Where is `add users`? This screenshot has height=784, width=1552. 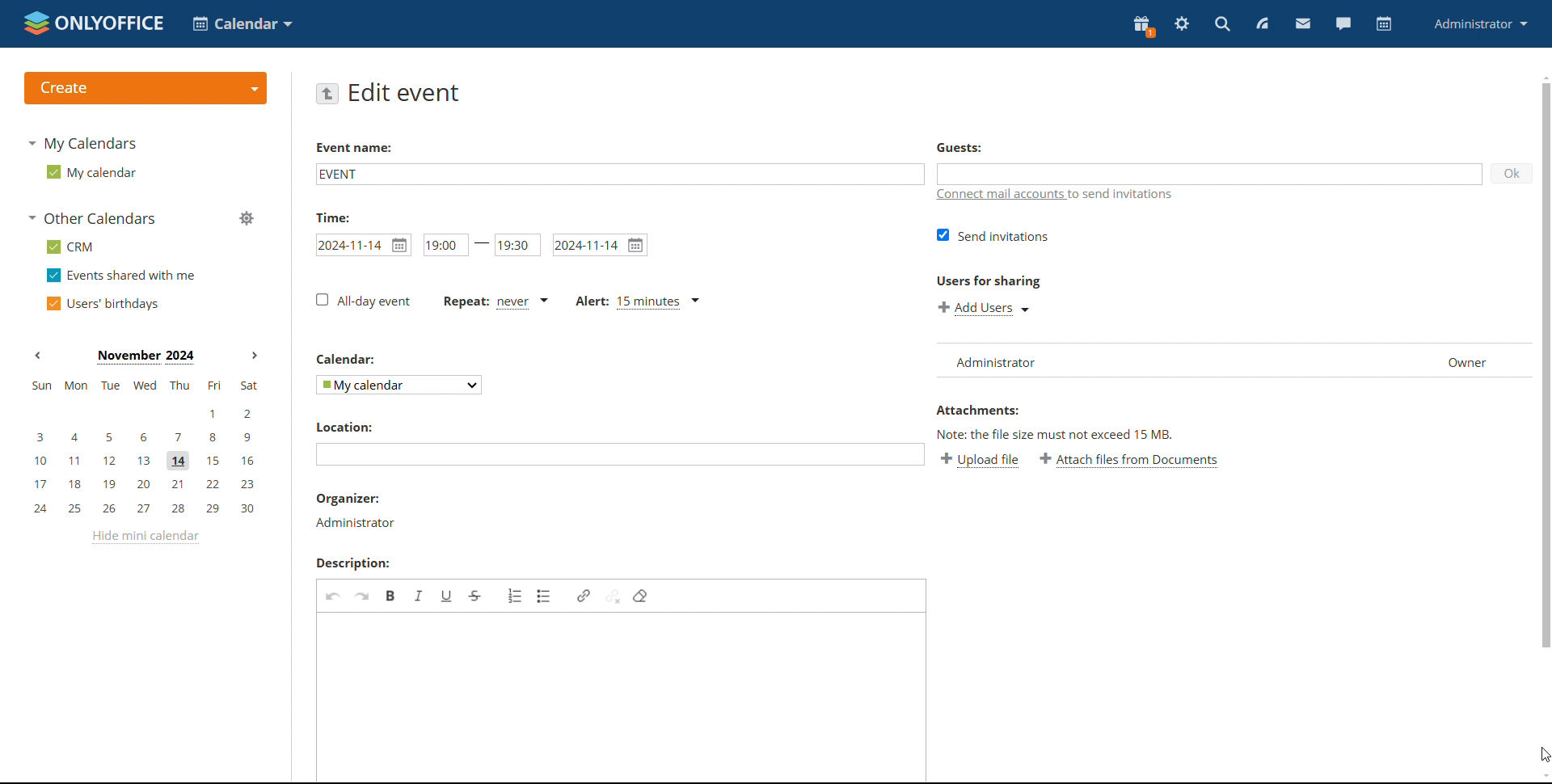
add users is located at coordinates (985, 307).